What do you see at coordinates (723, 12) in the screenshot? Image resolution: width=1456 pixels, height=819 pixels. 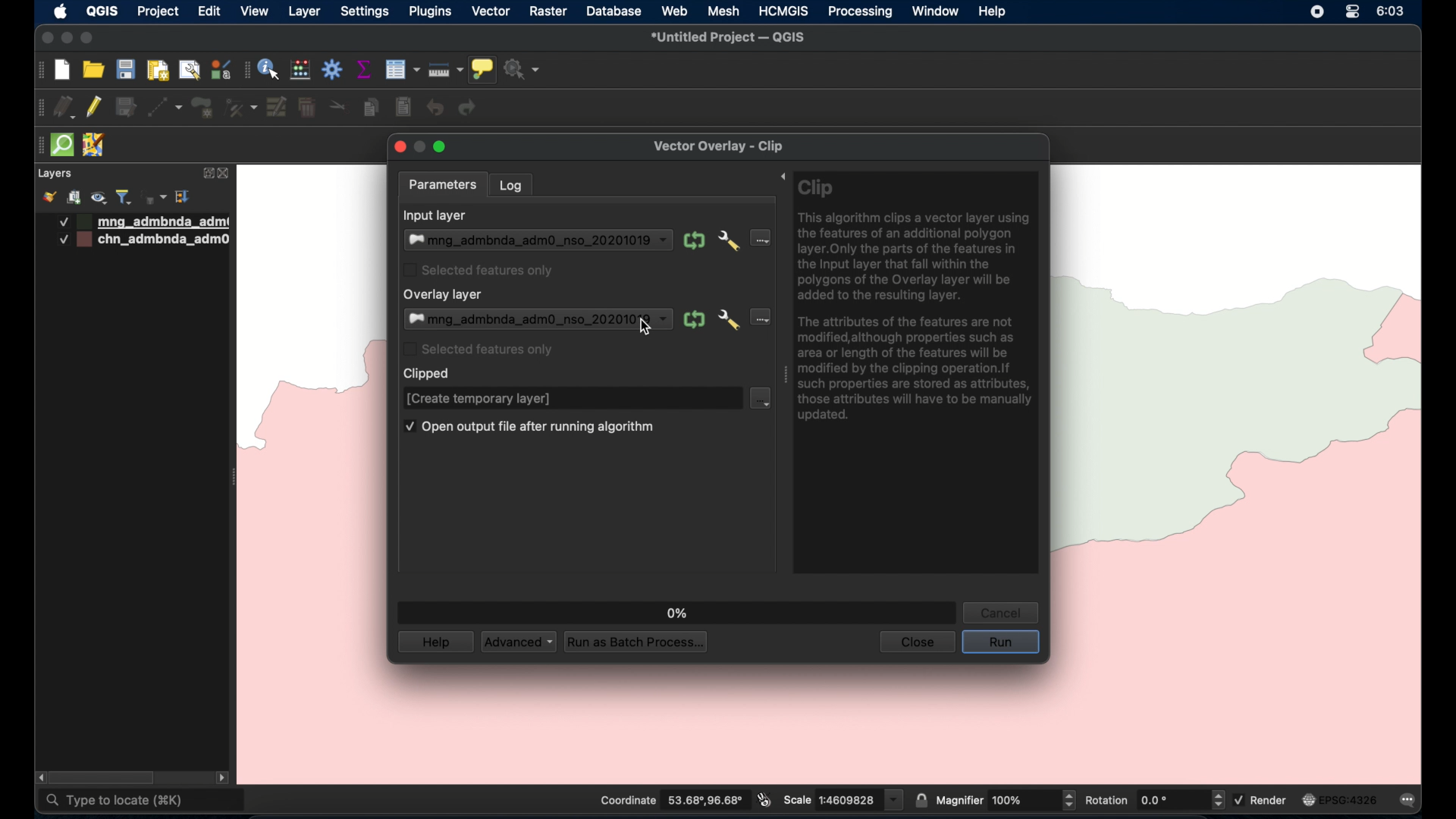 I see `mesh` at bounding box center [723, 12].